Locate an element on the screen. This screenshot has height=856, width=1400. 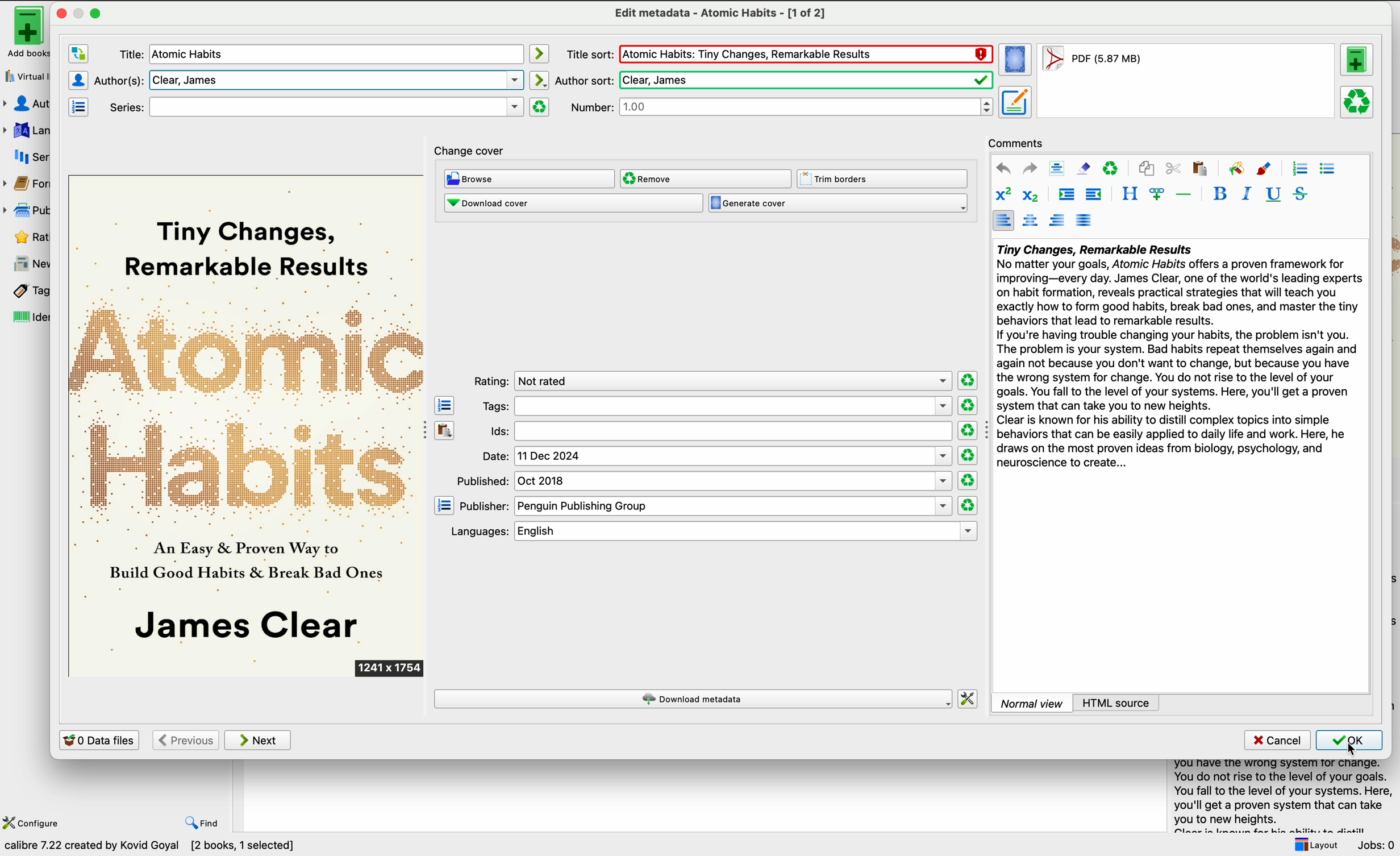
add a format to this book is located at coordinates (1359, 62).